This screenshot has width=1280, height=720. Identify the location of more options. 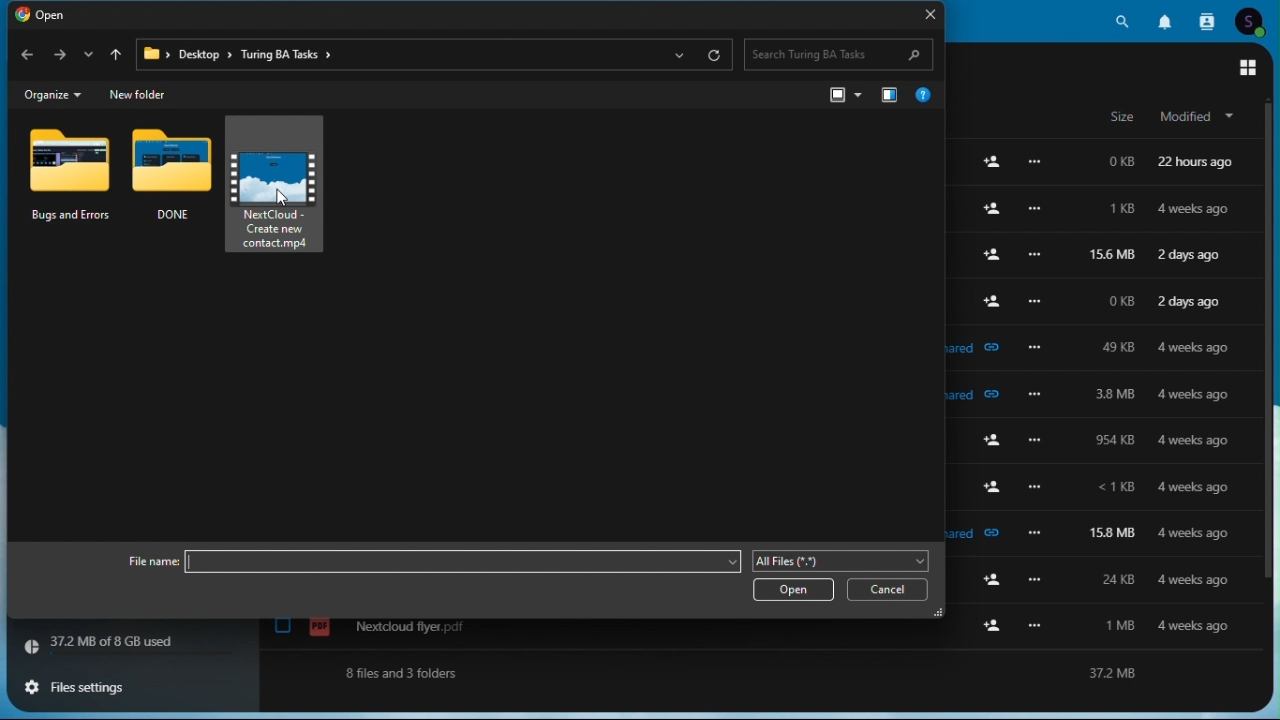
(1035, 532).